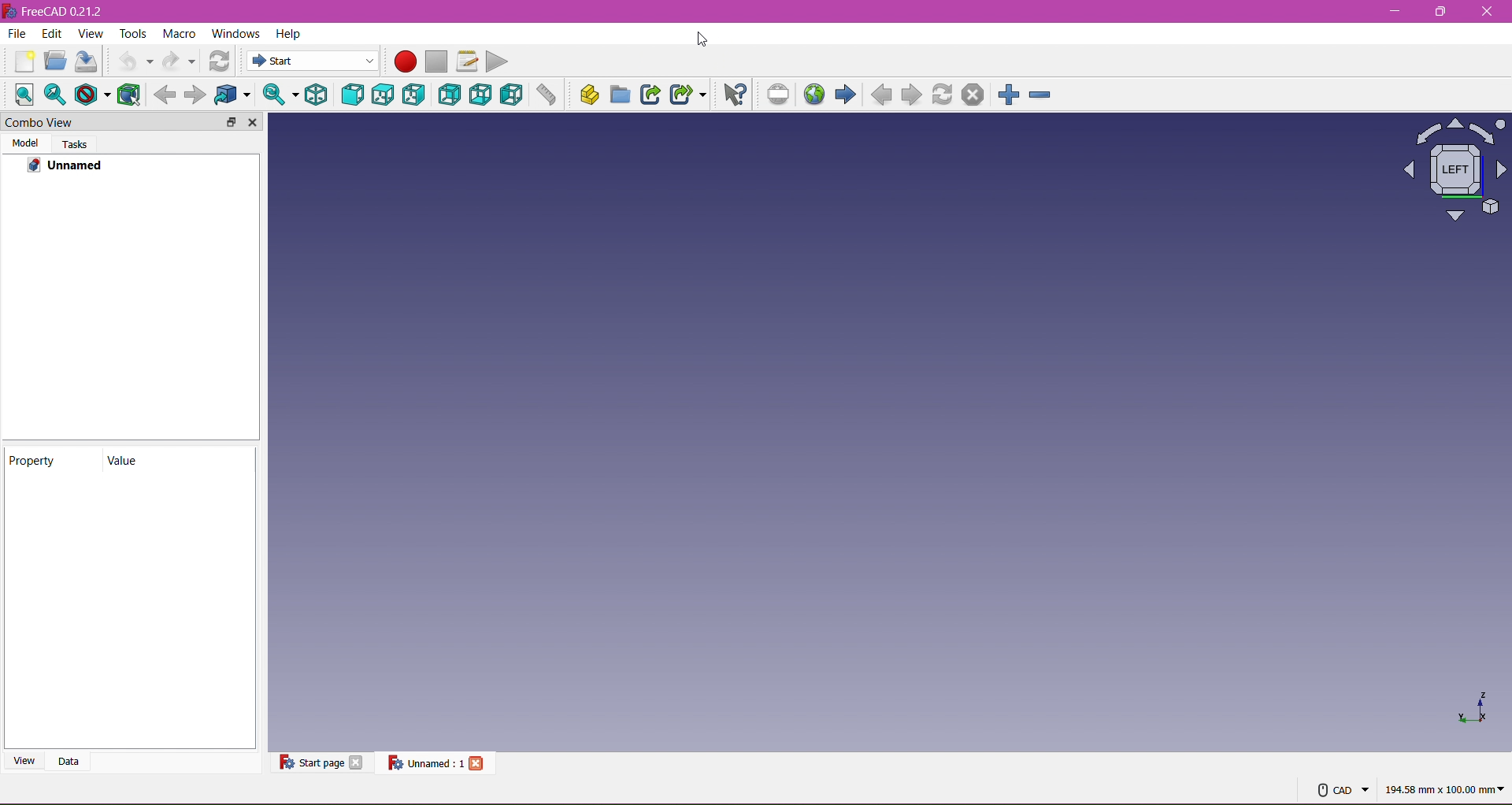 The image size is (1512, 805). What do you see at coordinates (178, 61) in the screenshot?
I see `Redo` at bounding box center [178, 61].